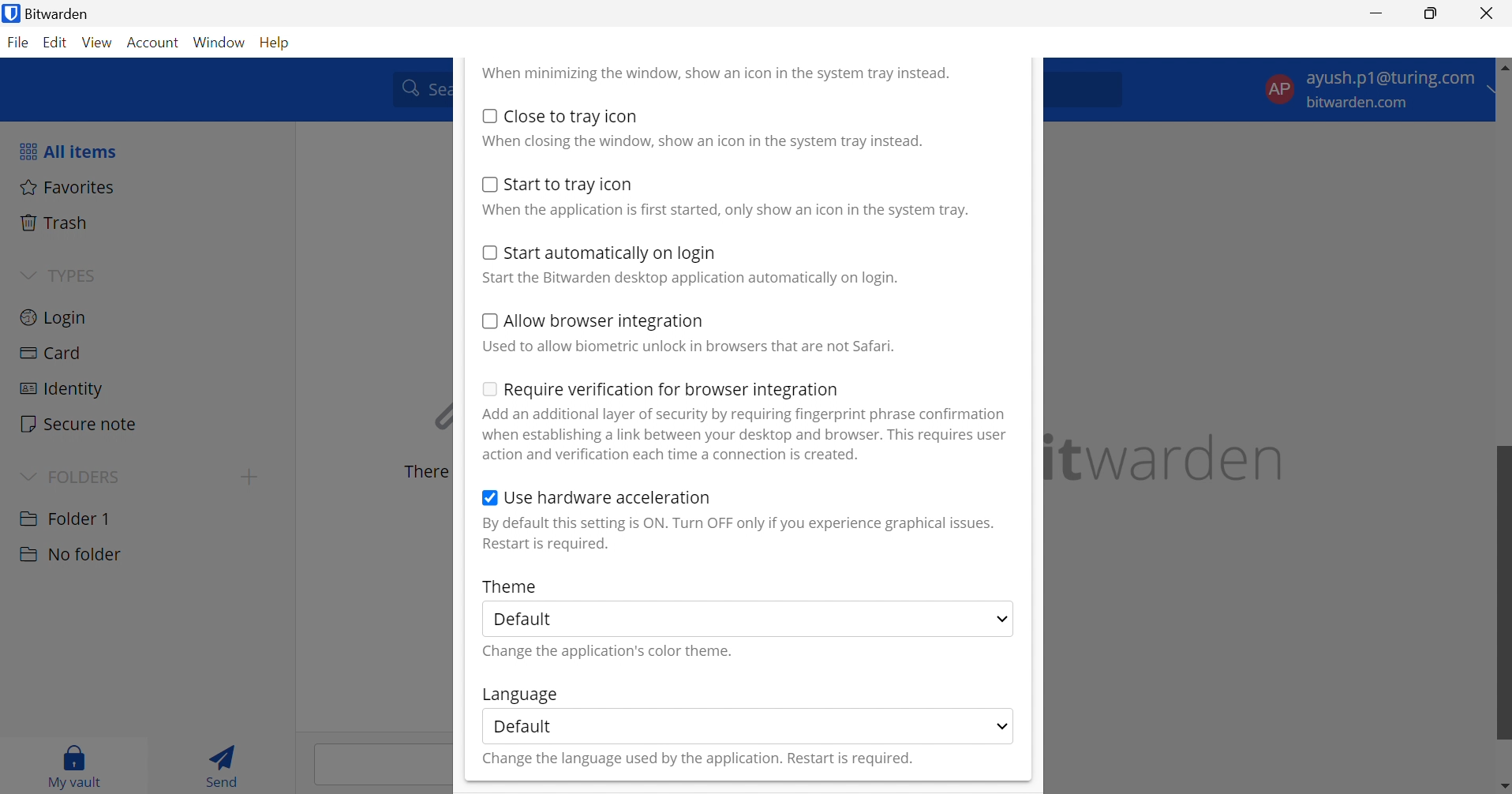  What do you see at coordinates (696, 760) in the screenshot?
I see `Change the language used by  the application. Restart is required.` at bounding box center [696, 760].